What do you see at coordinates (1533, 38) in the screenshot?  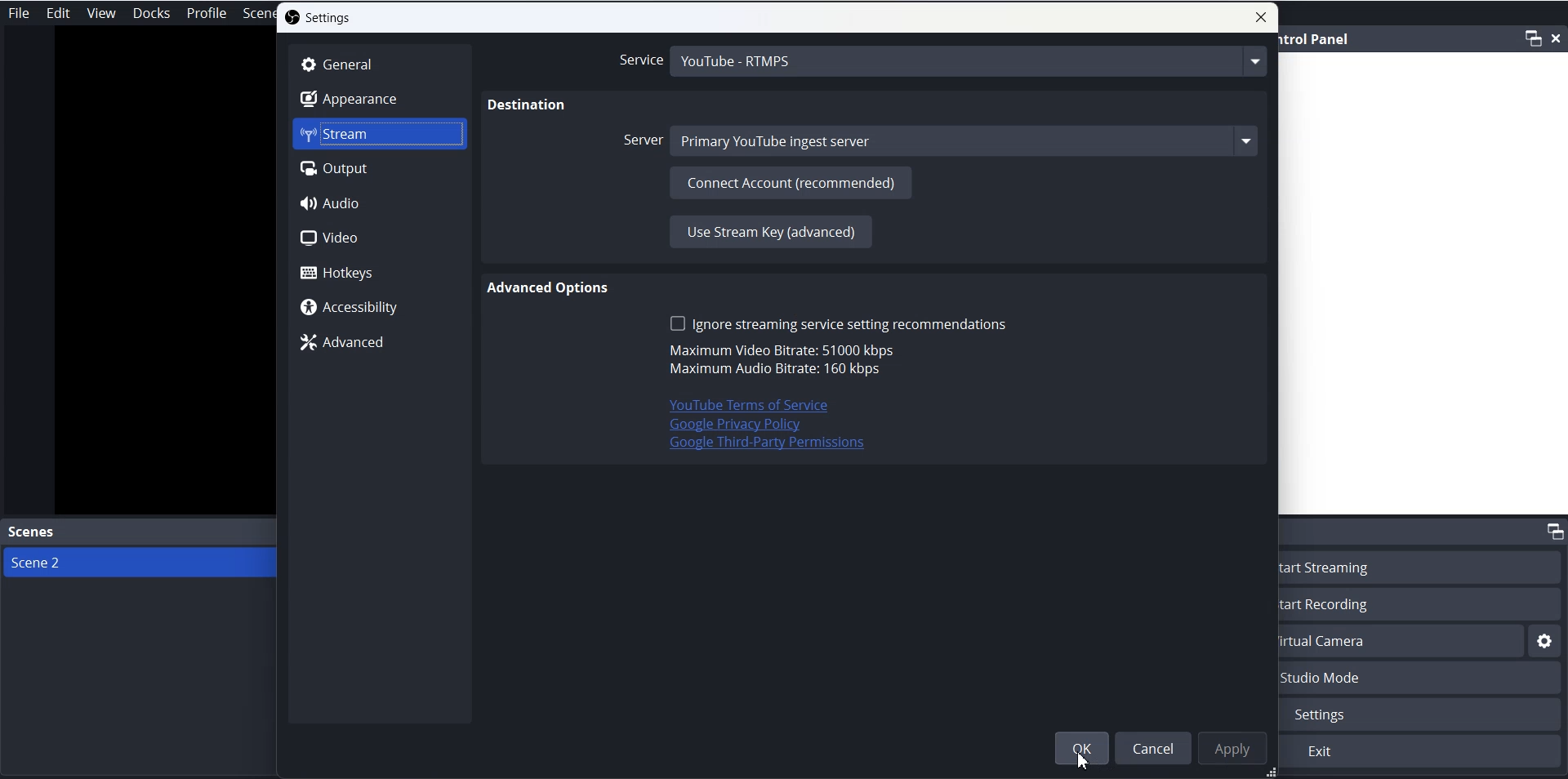 I see `minimise` at bounding box center [1533, 38].